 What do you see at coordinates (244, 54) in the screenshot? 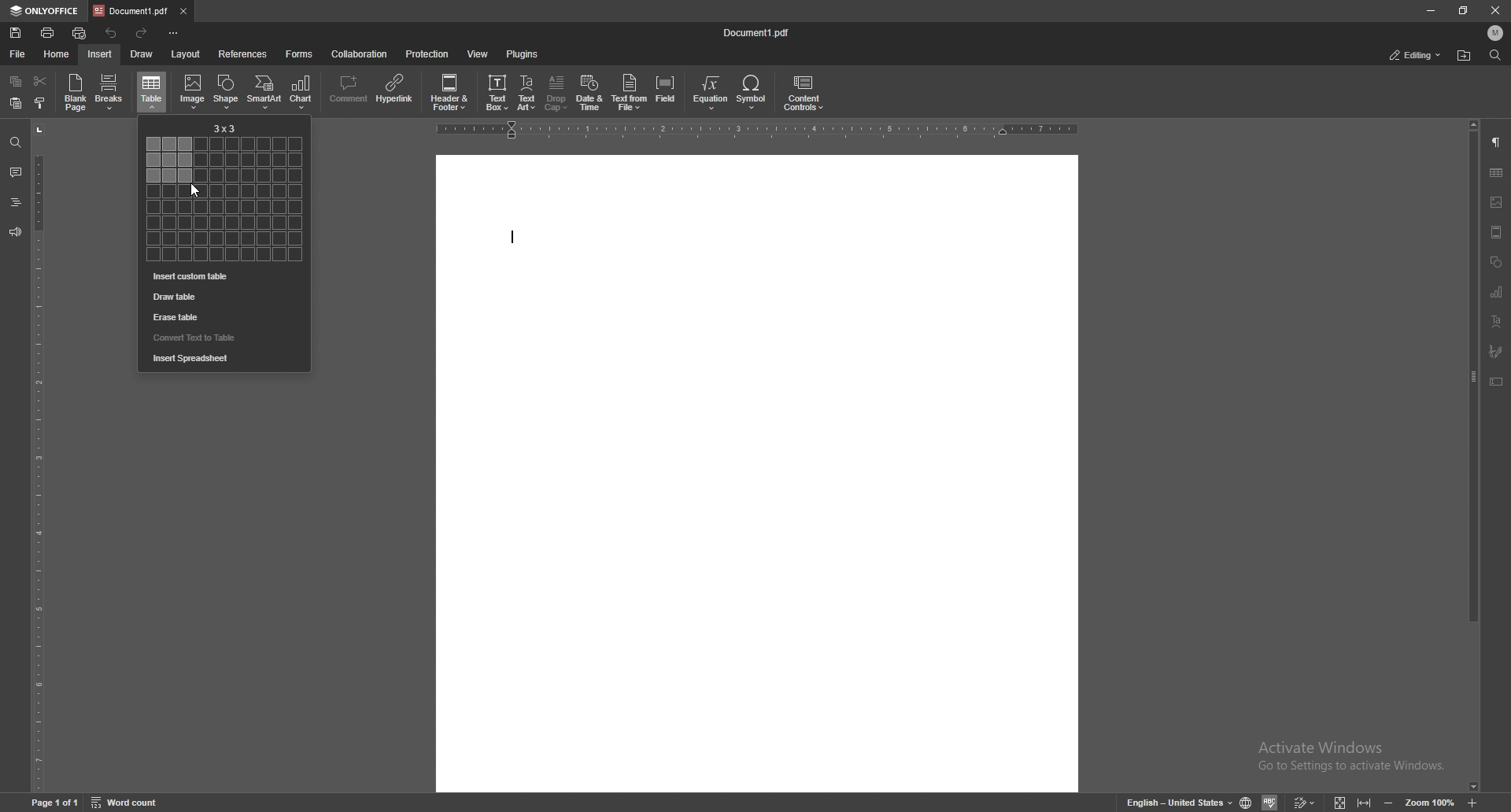
I see `references` at bounding box center [244, 54].